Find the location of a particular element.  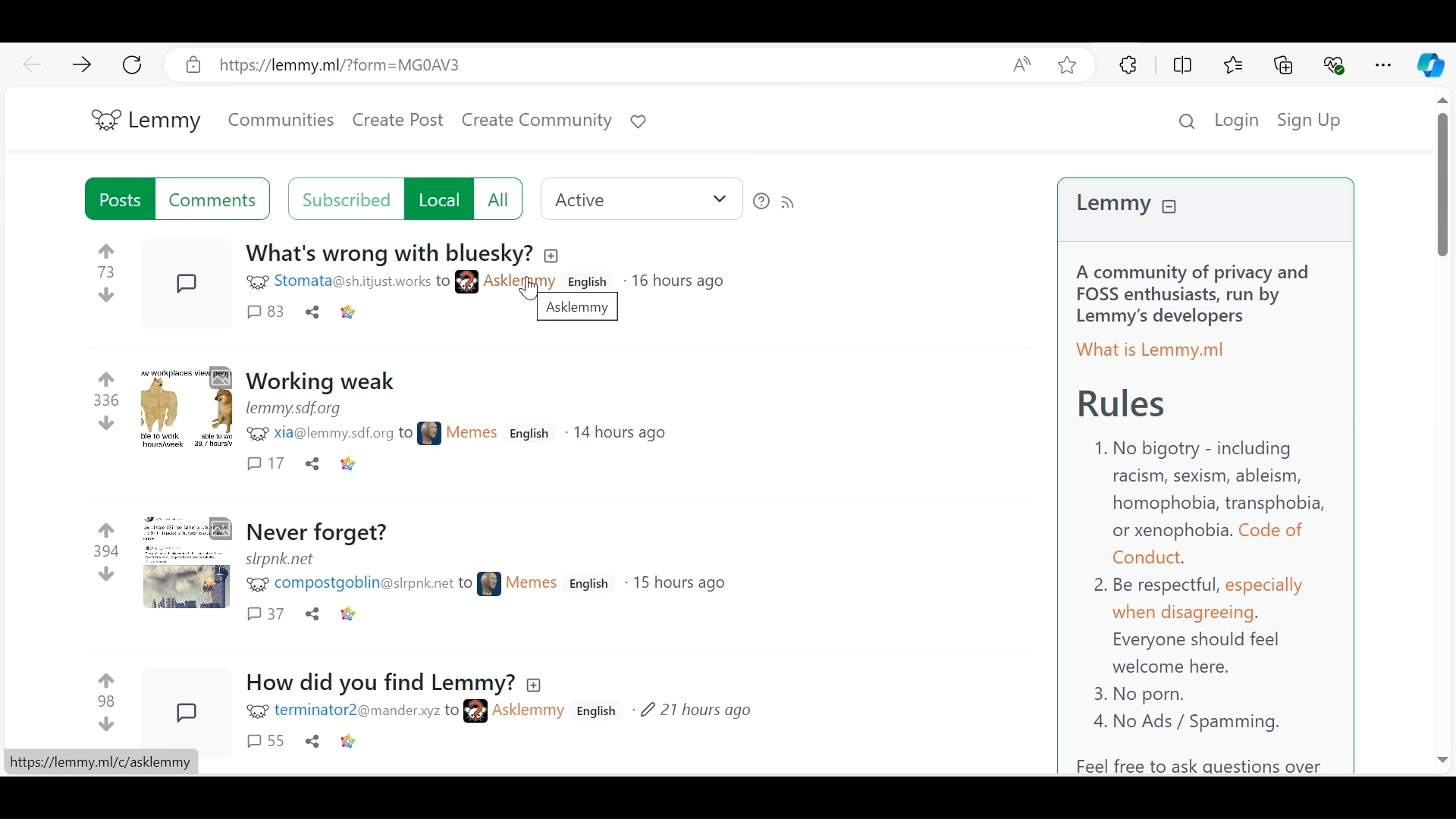

Comments is located at coordinates (265, 742).